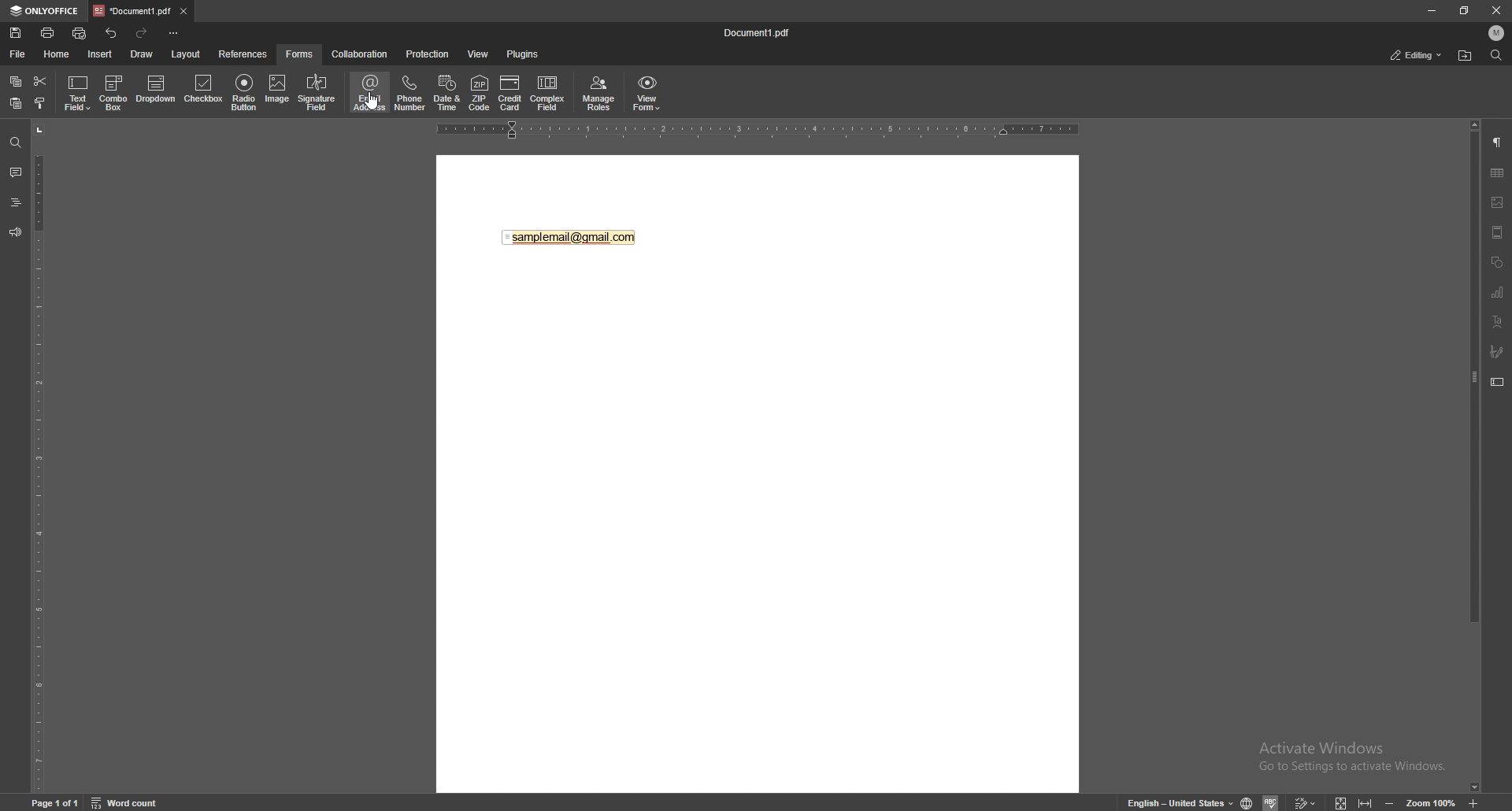  I want to click on zoom, so click(1431, 802).